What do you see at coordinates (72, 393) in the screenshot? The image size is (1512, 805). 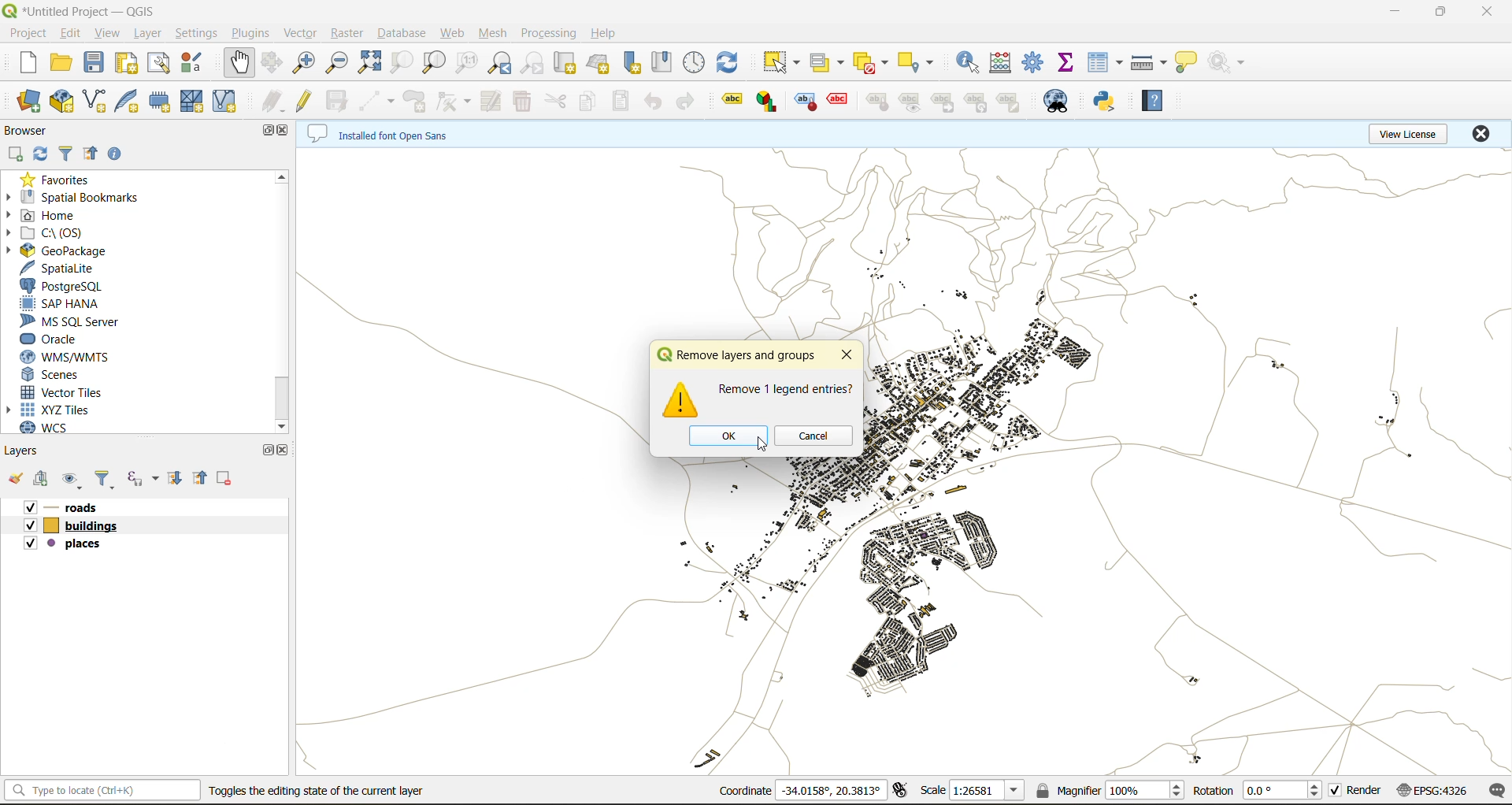 I see `vector tiles` at bounding box center [72, 393].